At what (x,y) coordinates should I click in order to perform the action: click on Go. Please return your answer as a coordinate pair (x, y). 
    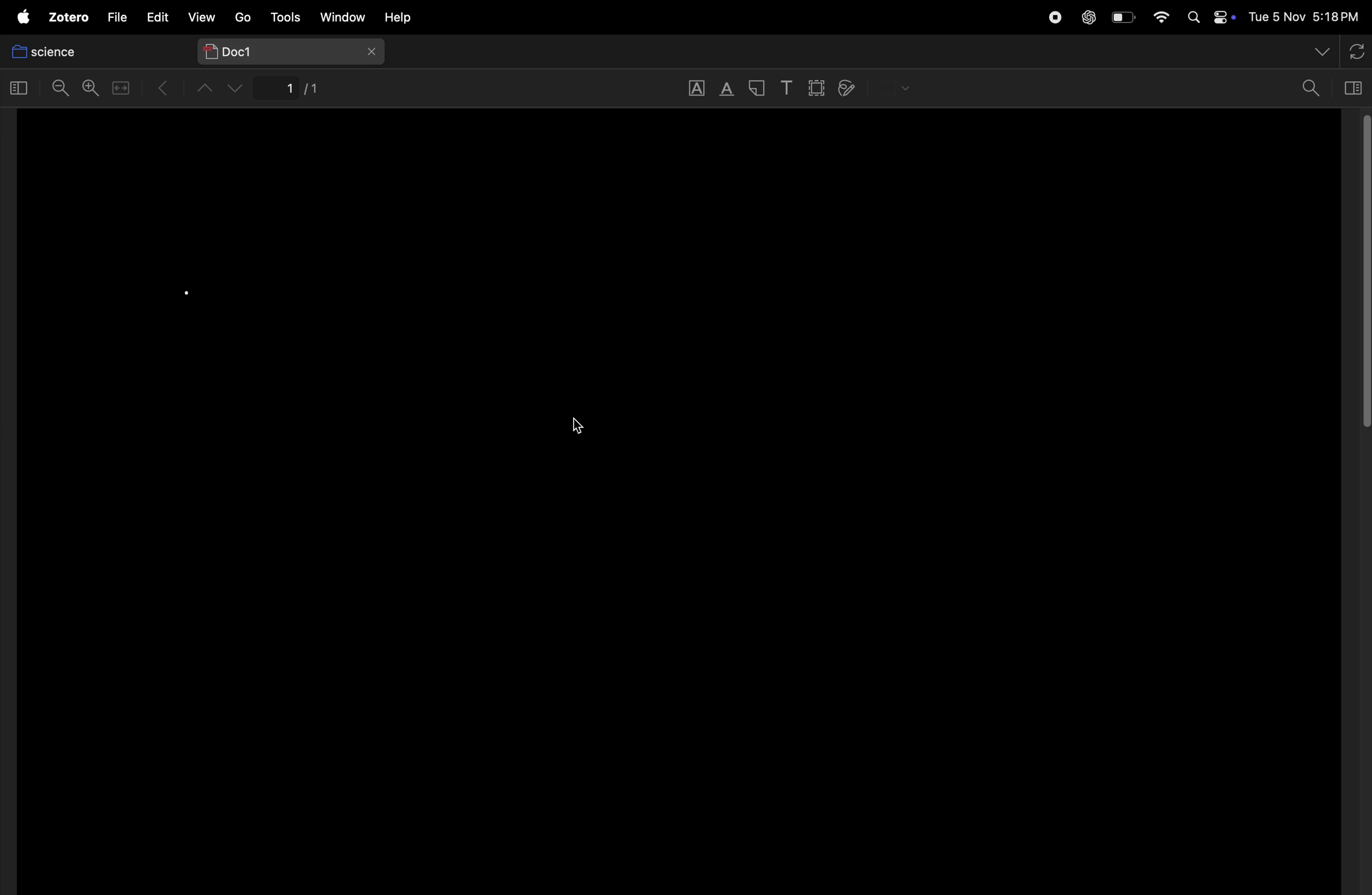
    Looking at the image, I should click on (245, 20).